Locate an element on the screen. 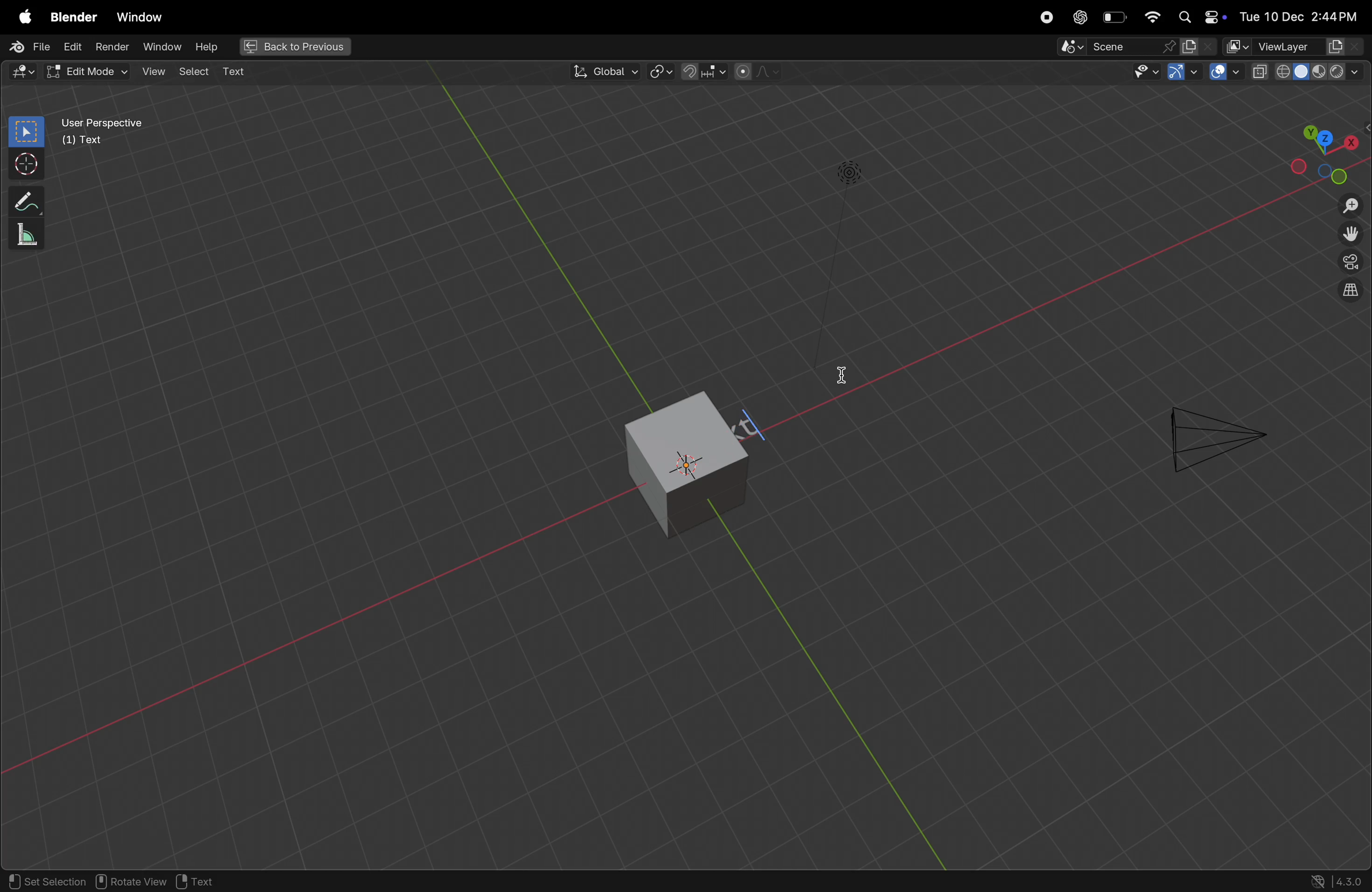 This screenshot has height=892, width=1372. wifi is located at coordinates (1152, 17).